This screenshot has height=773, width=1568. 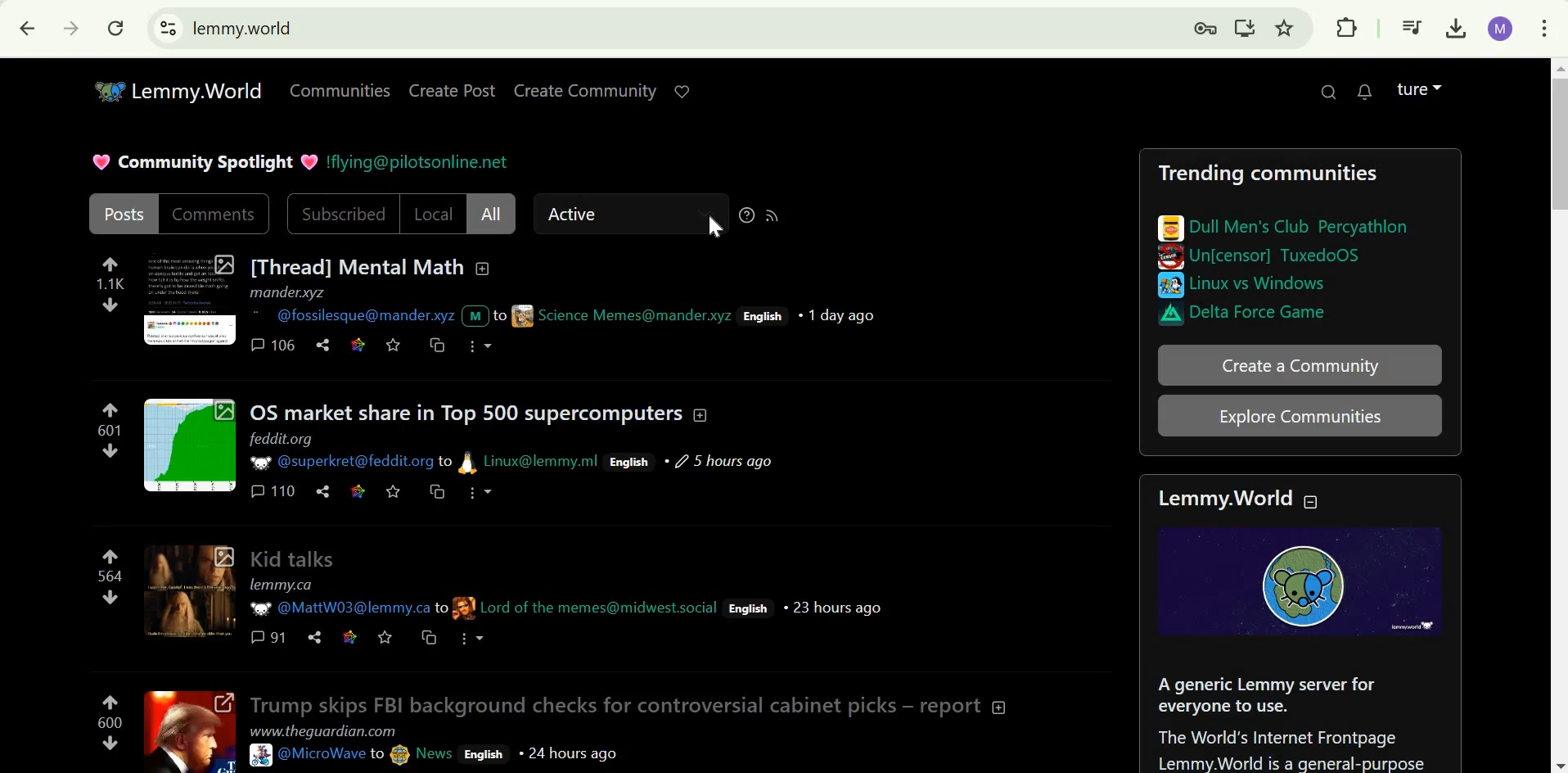 What do you see at coordinates (746, 608) in the screenshot?
I see `English` at bounding box center [746, 608].